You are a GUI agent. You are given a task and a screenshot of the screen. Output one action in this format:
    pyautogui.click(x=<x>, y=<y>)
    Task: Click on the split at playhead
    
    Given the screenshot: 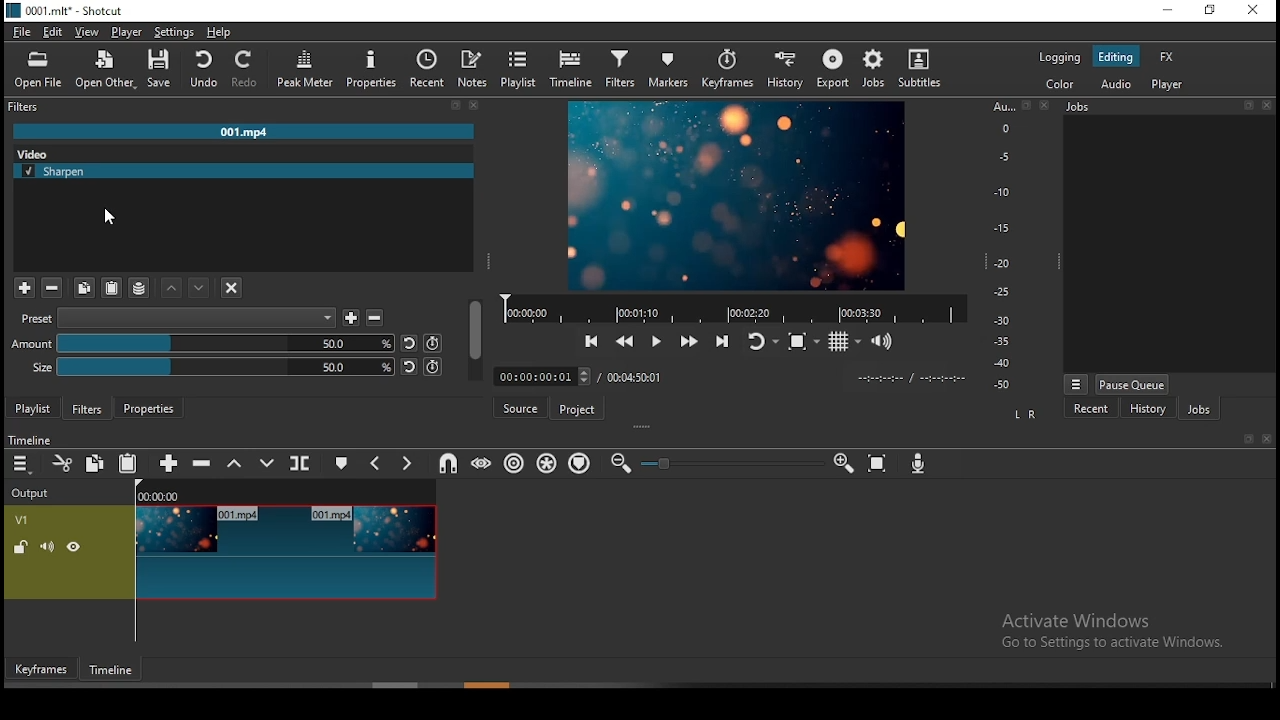 What is the action you would take?
    pyautogui.click(x=300, y=464)
    